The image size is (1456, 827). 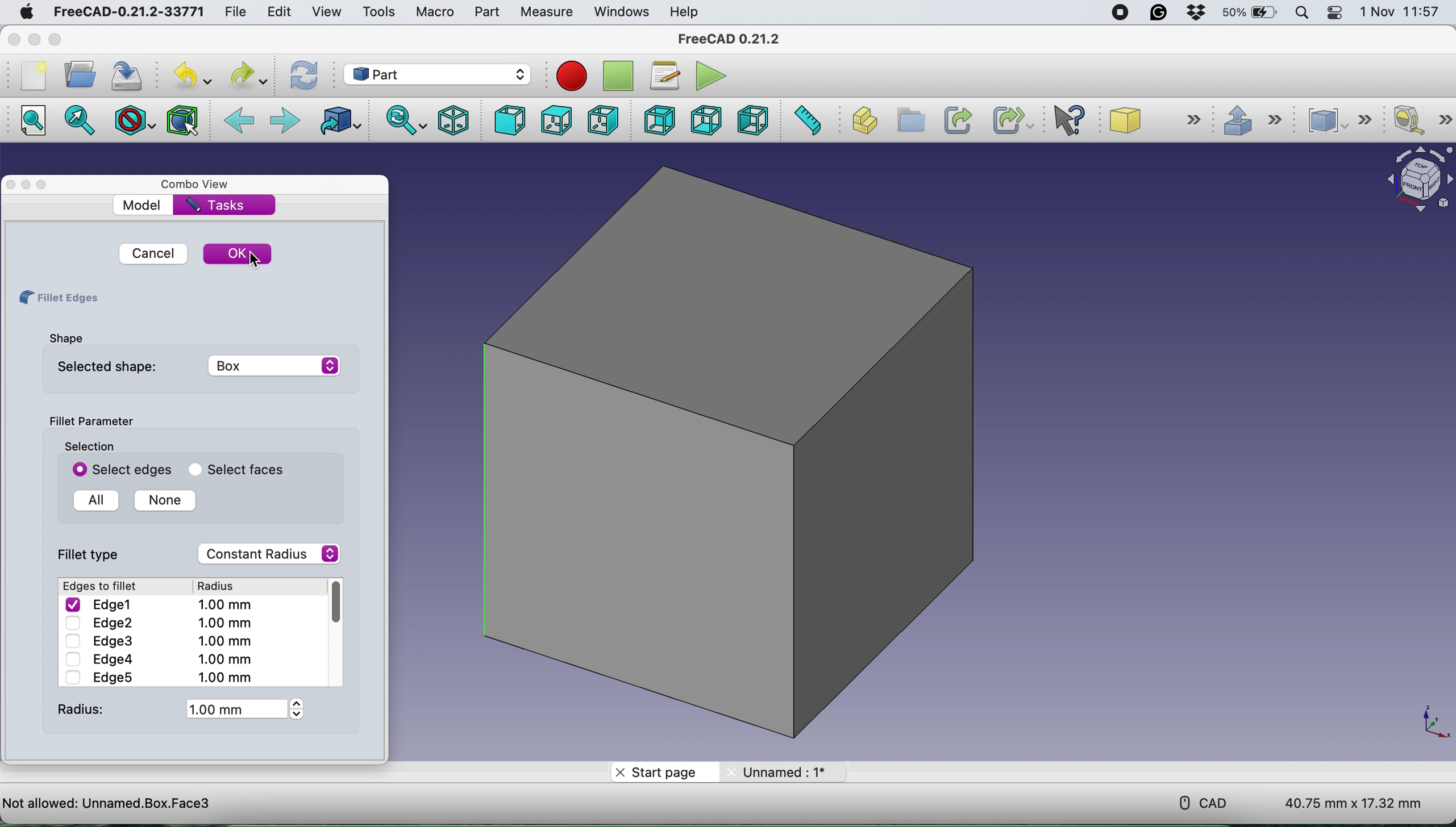 What do you see at coordinates (238, 254) in the screenshot?
I see `Ok ` at bounding box center [238, 254].